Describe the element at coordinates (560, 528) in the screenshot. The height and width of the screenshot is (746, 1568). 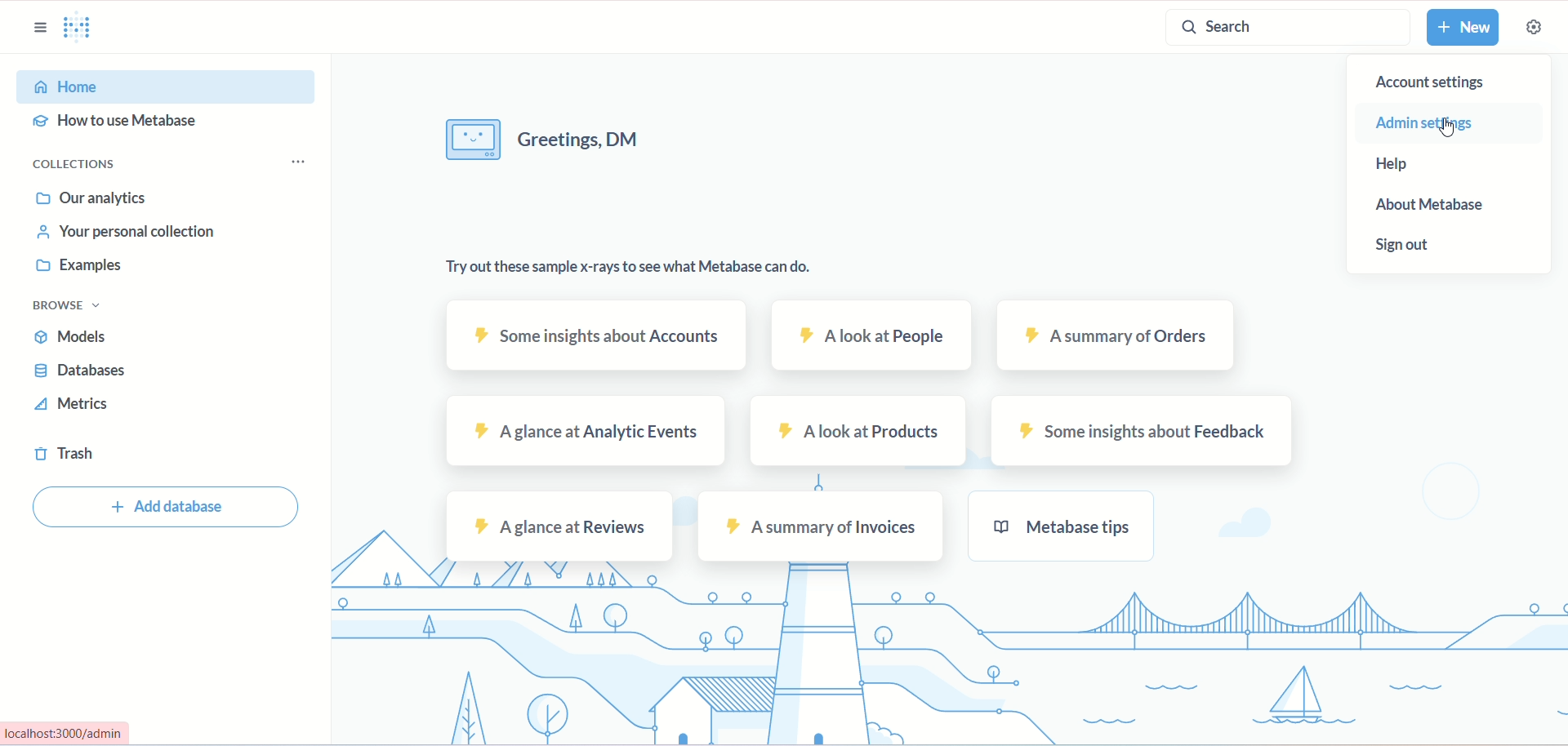
I see `reviews` at that location.